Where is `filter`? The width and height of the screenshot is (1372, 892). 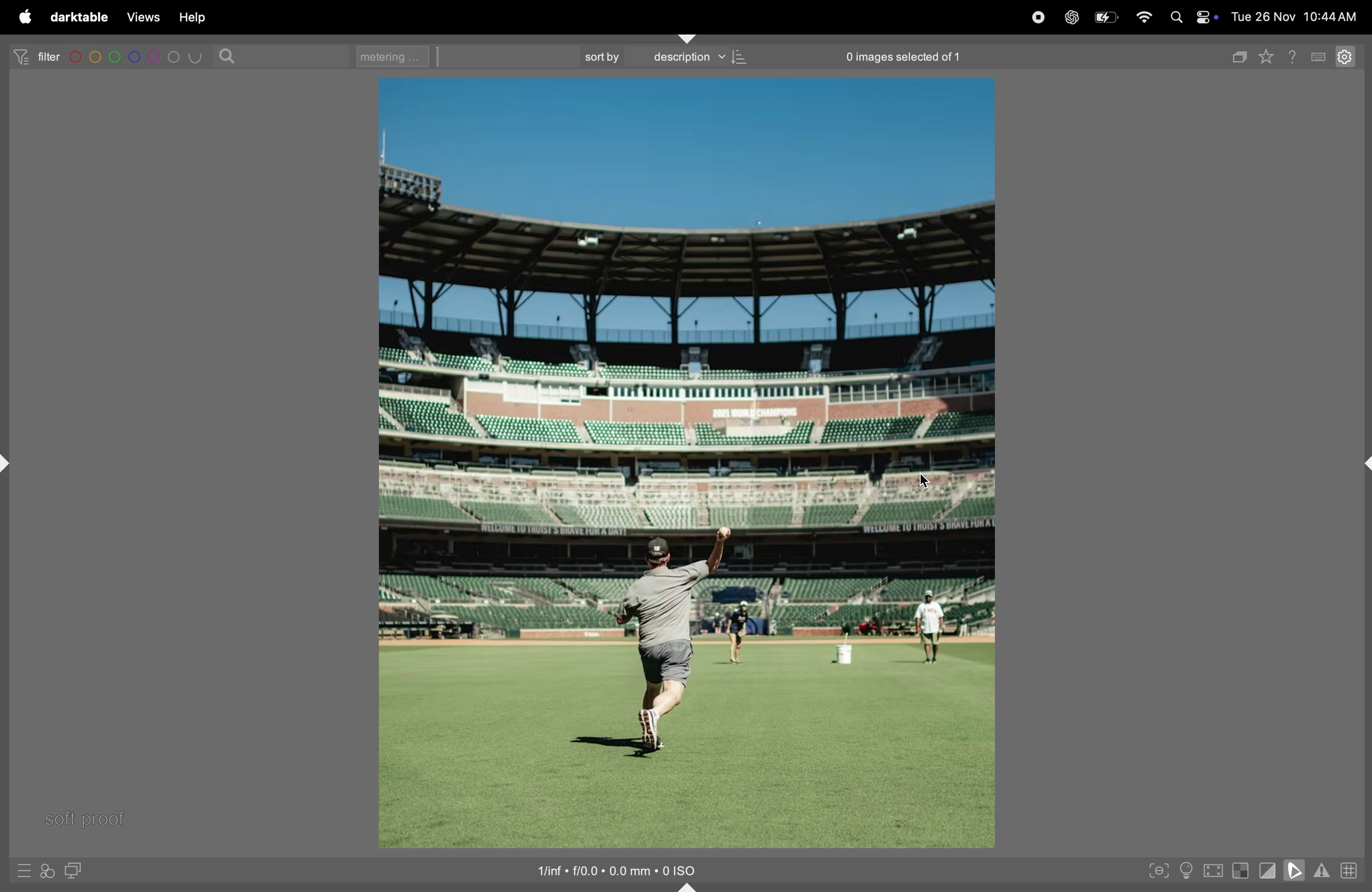
filter is located at coordinates (35, 56).